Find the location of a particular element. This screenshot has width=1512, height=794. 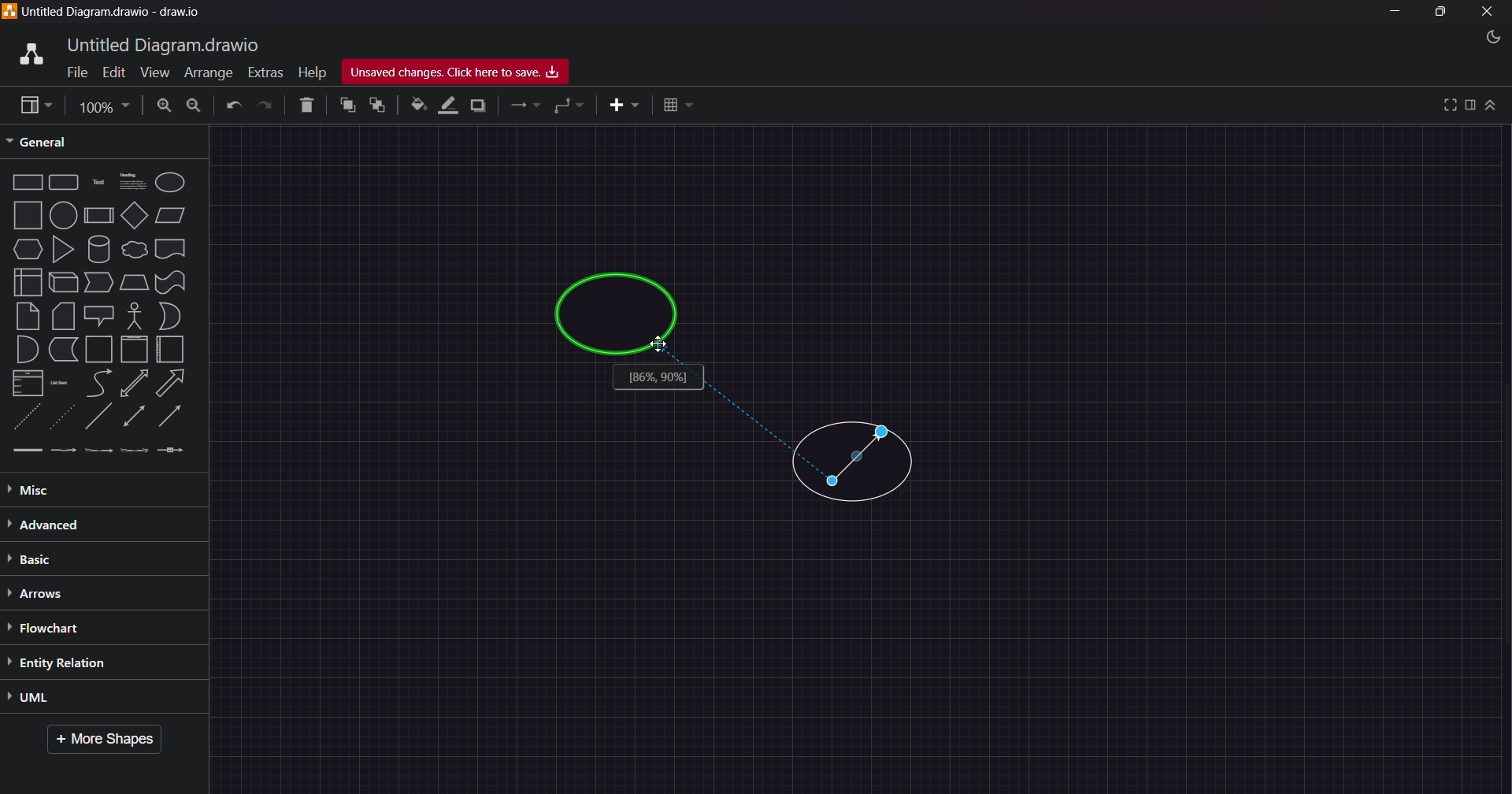

Entity Relation is located at coordinates (78, 662).